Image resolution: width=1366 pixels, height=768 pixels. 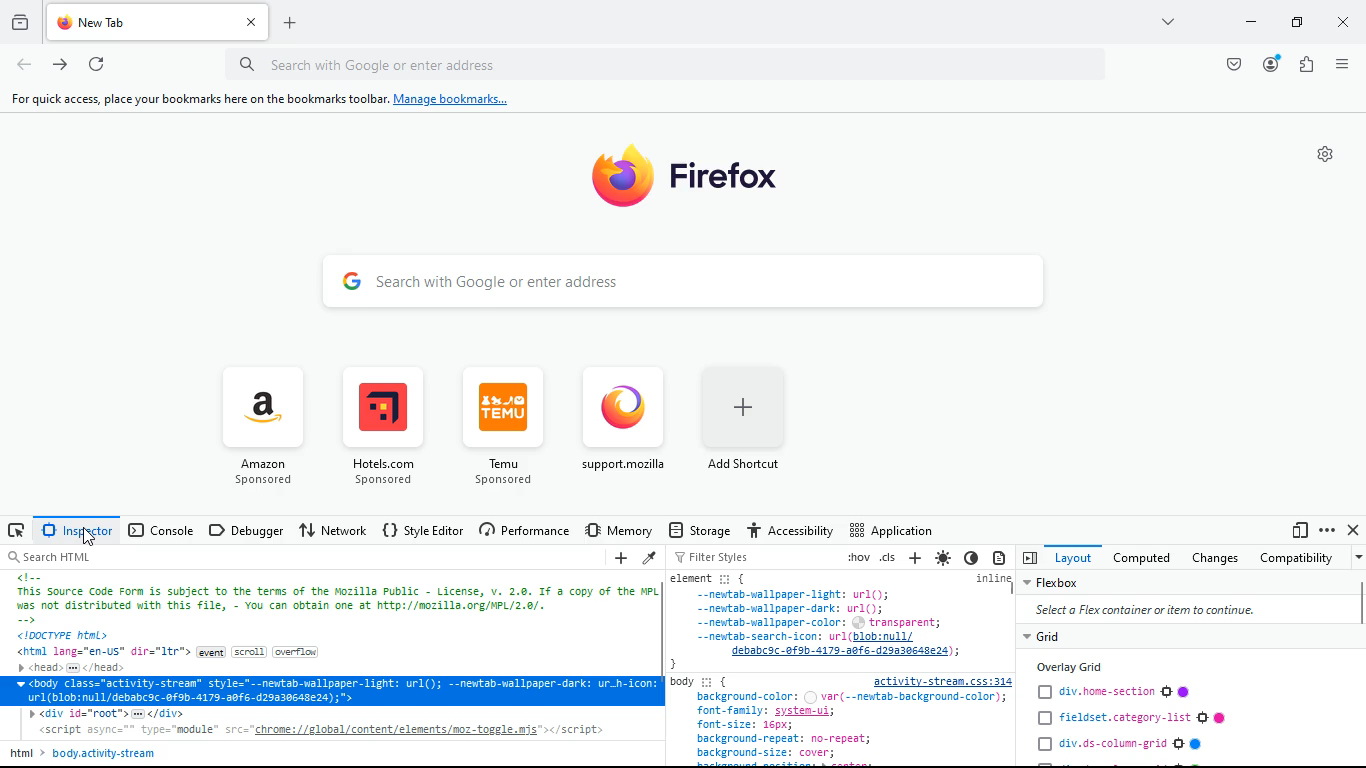 What do you see at coordinates (857, 558) in the screenshot?
I see `hov` at bounding box center [857, 558].